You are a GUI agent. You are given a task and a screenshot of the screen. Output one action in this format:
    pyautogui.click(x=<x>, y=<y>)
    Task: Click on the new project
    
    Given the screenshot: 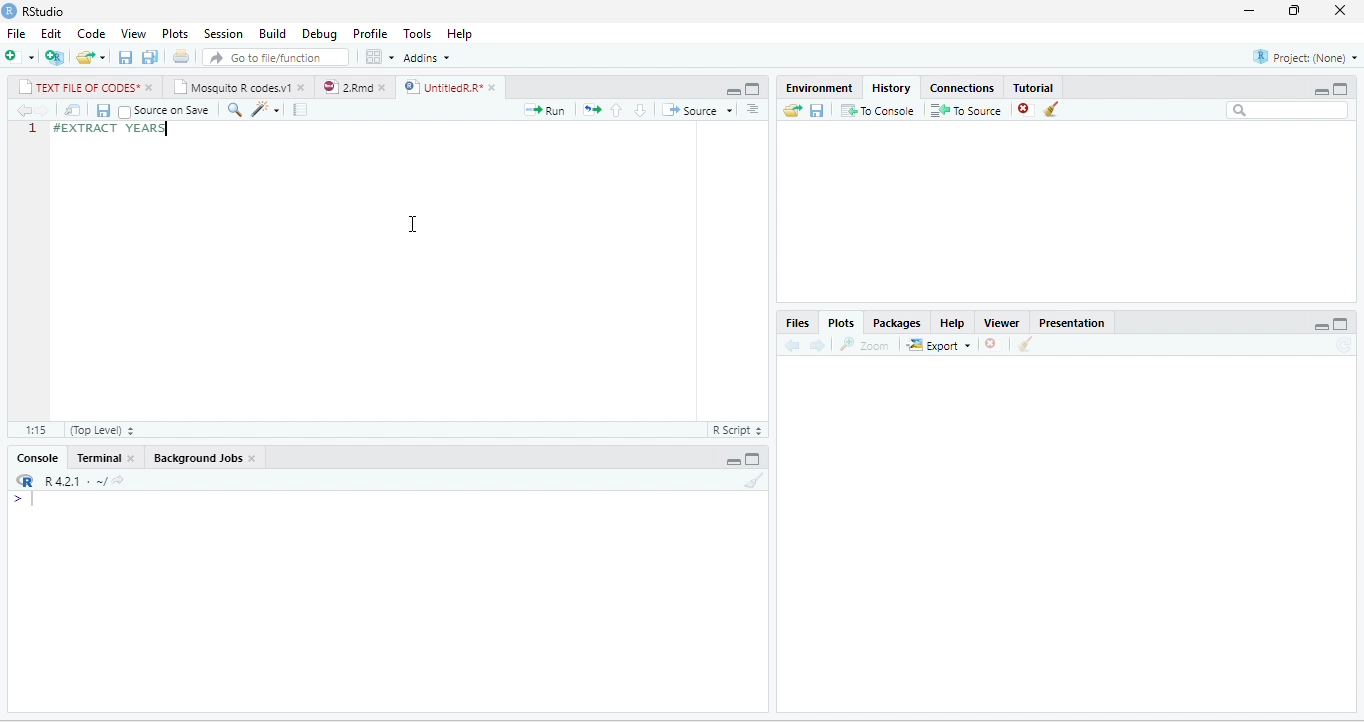 What is the action you would take?
    pyautogui.click(x=55, y=57)
    